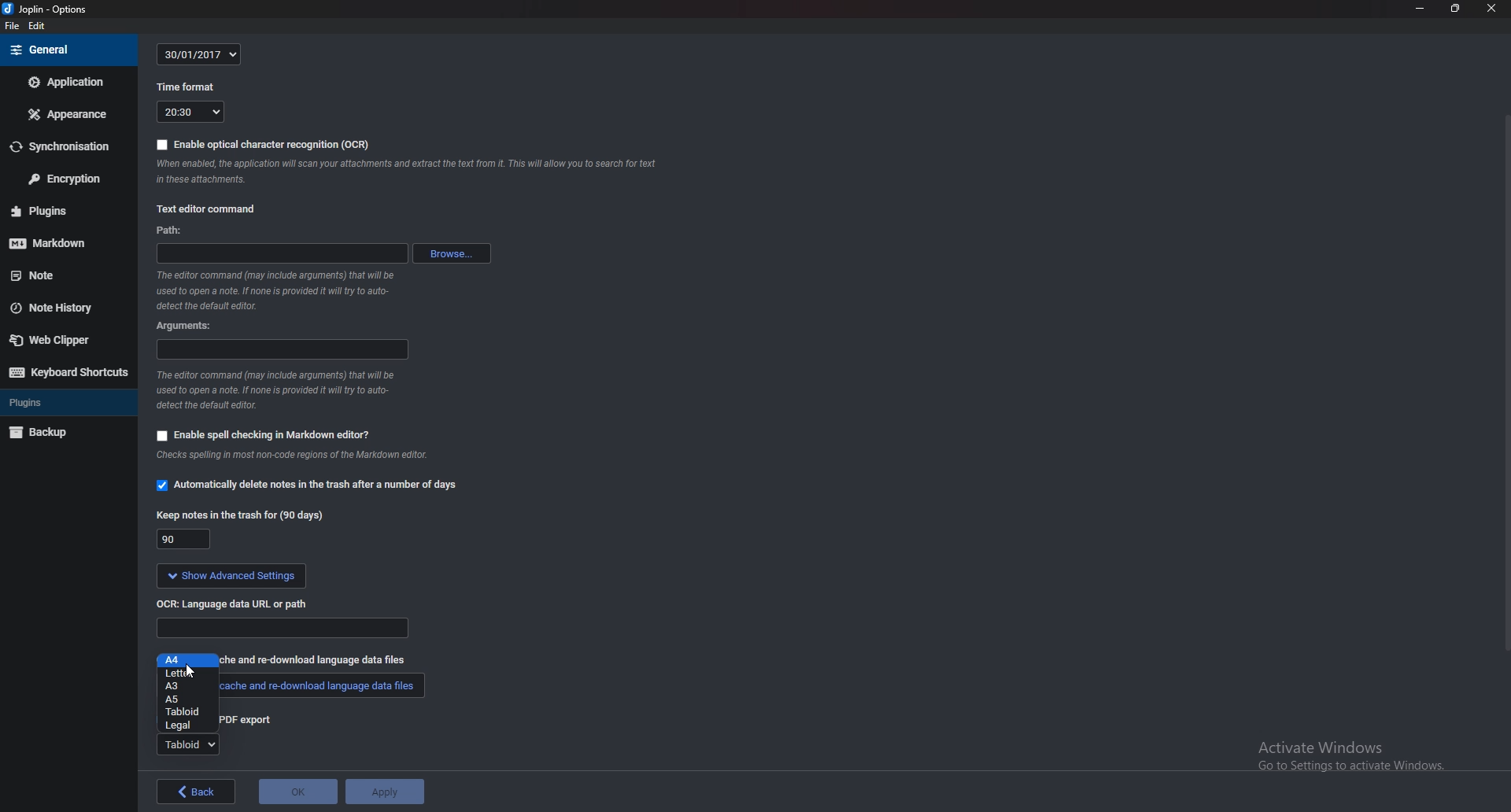  I want to click on Web clipper, so click(65, 338).